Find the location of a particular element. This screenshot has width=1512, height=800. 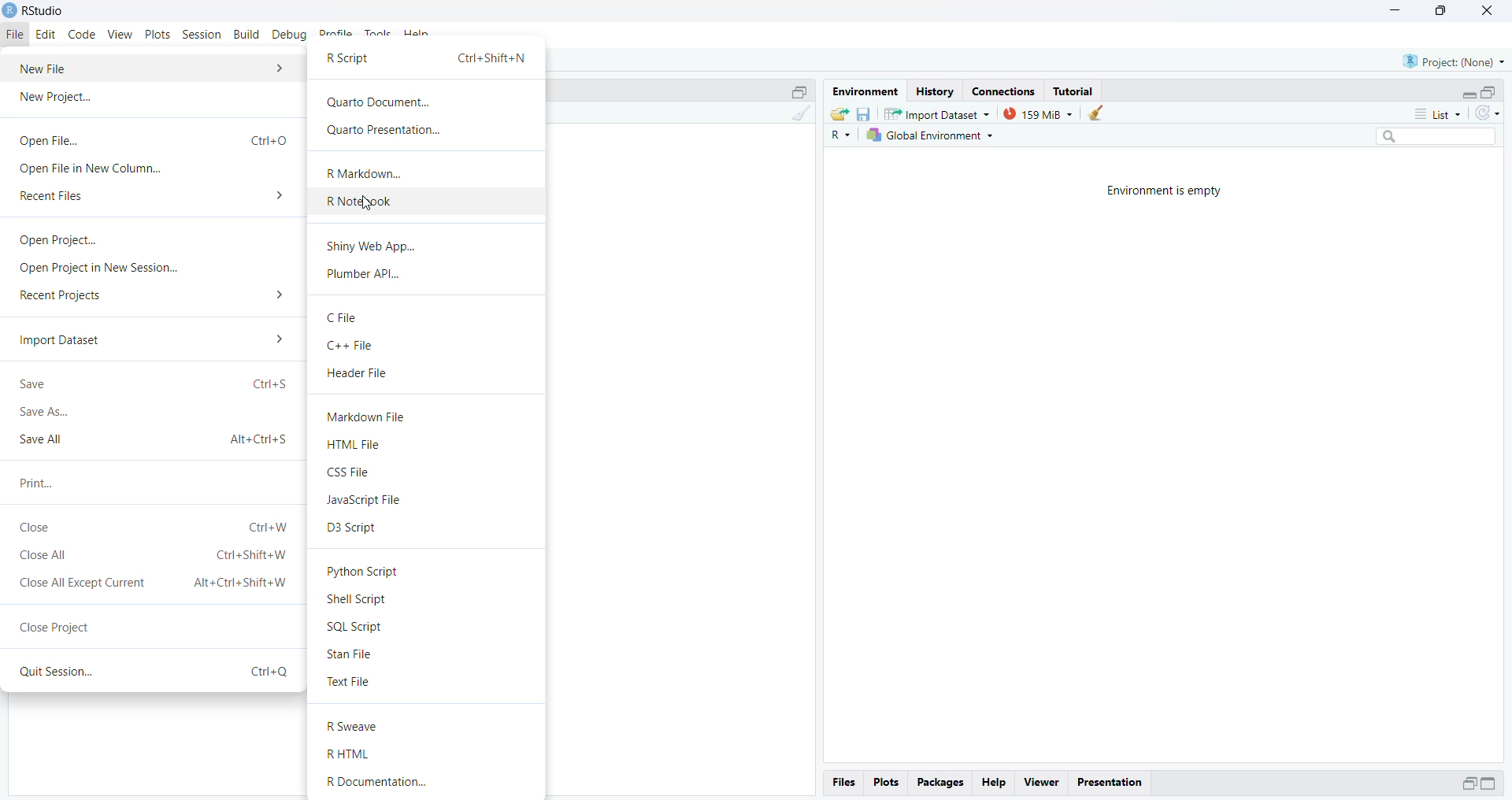

Save Ctrl+S is located at coordinates (154, 383).